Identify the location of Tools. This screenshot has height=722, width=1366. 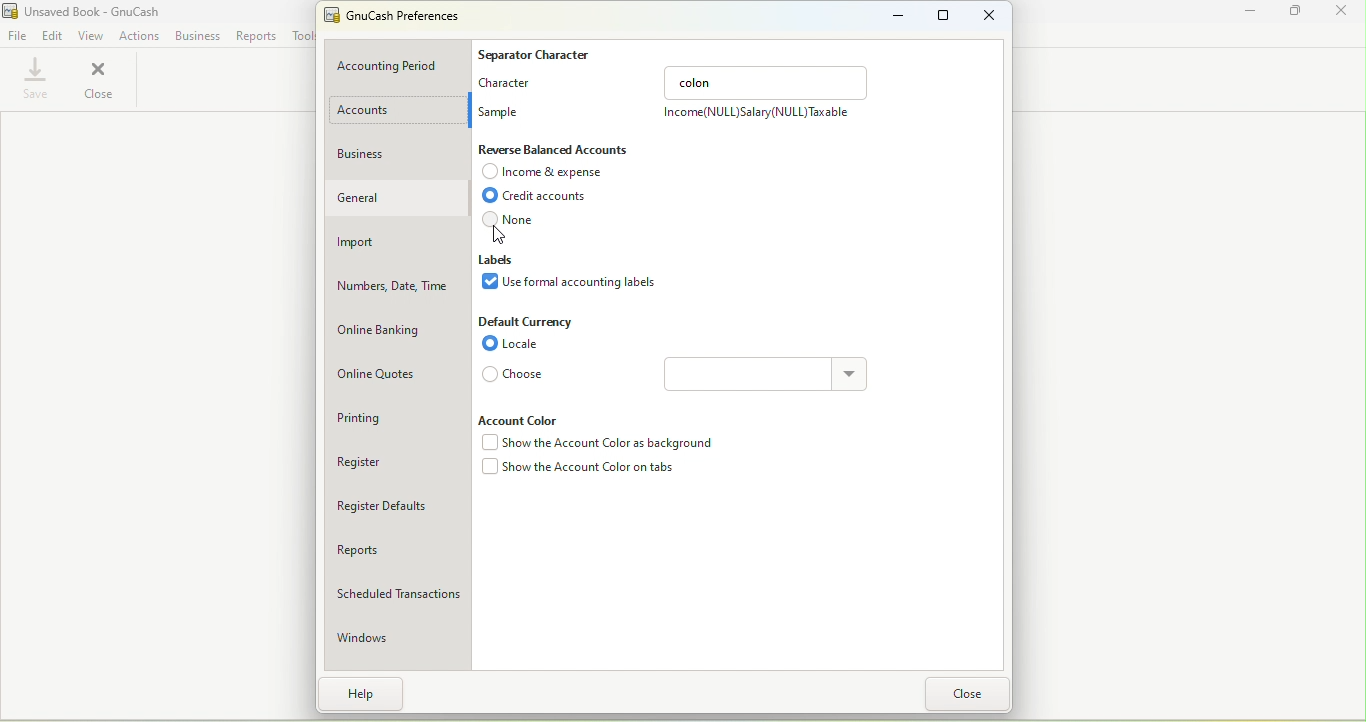
(304, 37).